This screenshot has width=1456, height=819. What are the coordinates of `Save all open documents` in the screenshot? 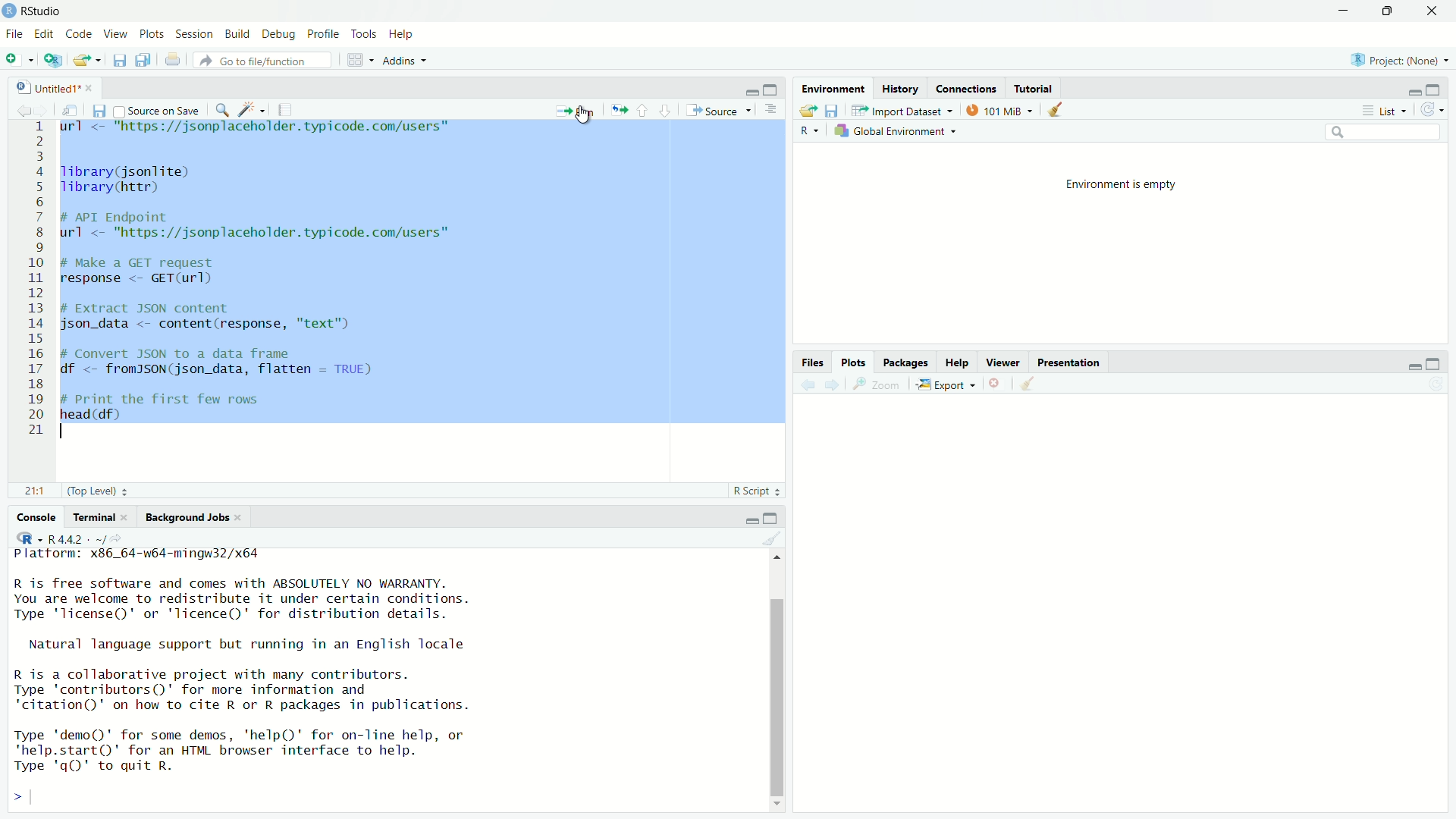 It's located at (143, 60).